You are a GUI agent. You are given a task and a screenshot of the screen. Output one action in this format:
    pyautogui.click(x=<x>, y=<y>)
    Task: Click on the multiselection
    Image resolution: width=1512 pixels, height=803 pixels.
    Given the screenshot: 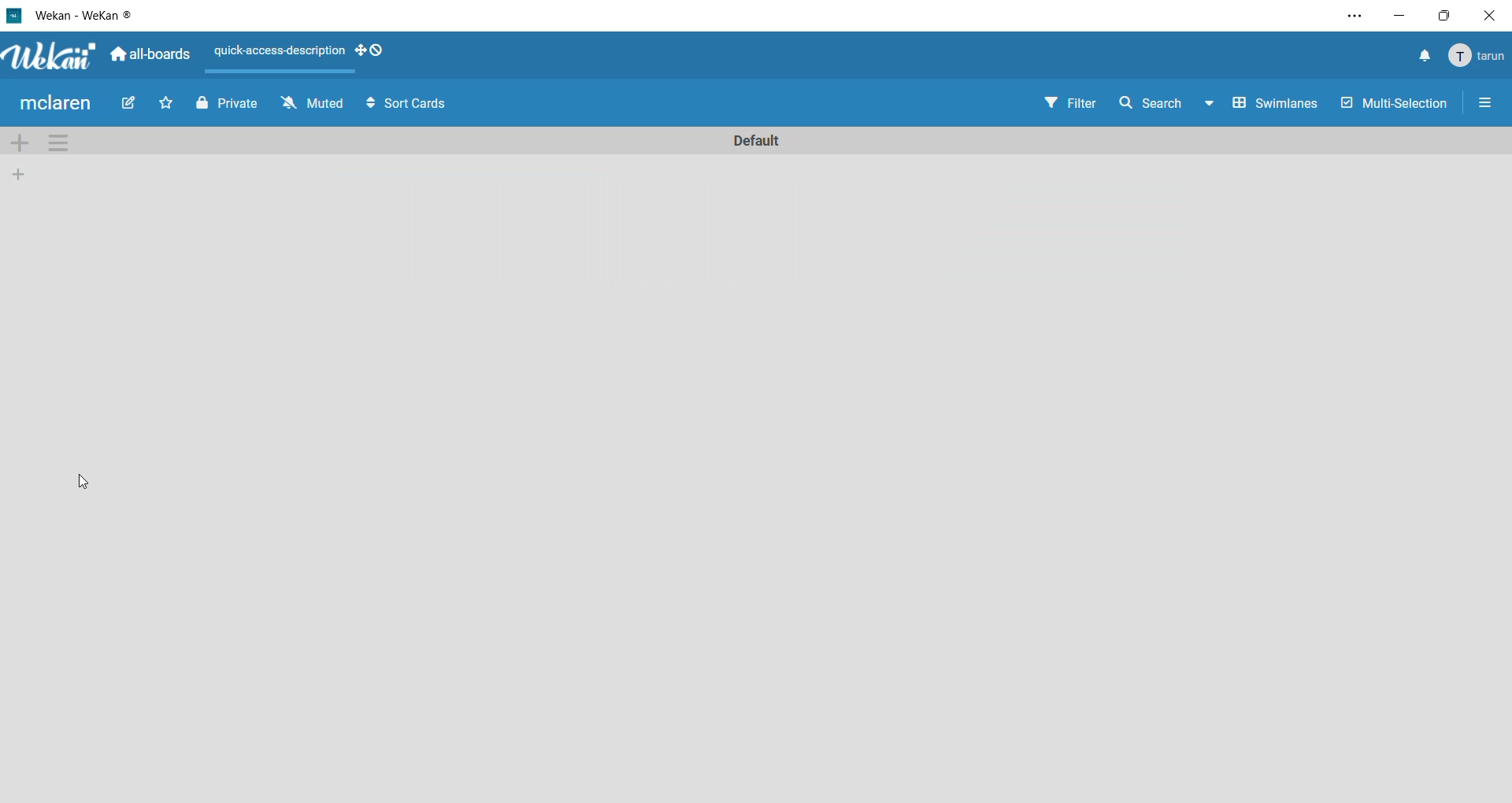 What is the action you would take?
    pyautogui.click(x=1395, y=105)
    